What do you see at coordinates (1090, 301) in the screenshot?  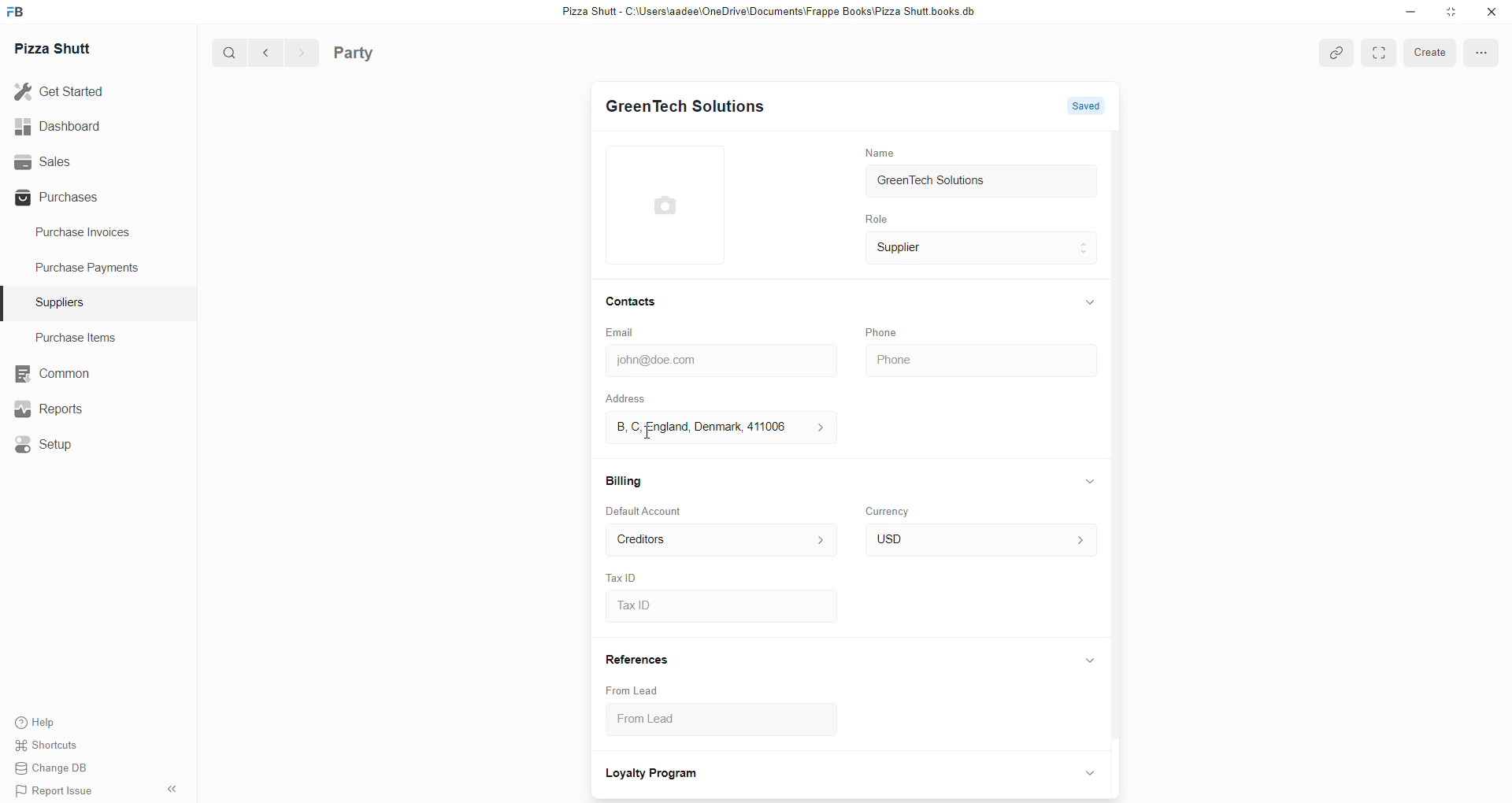 I see `hide` at bounding box center [1090, 301].